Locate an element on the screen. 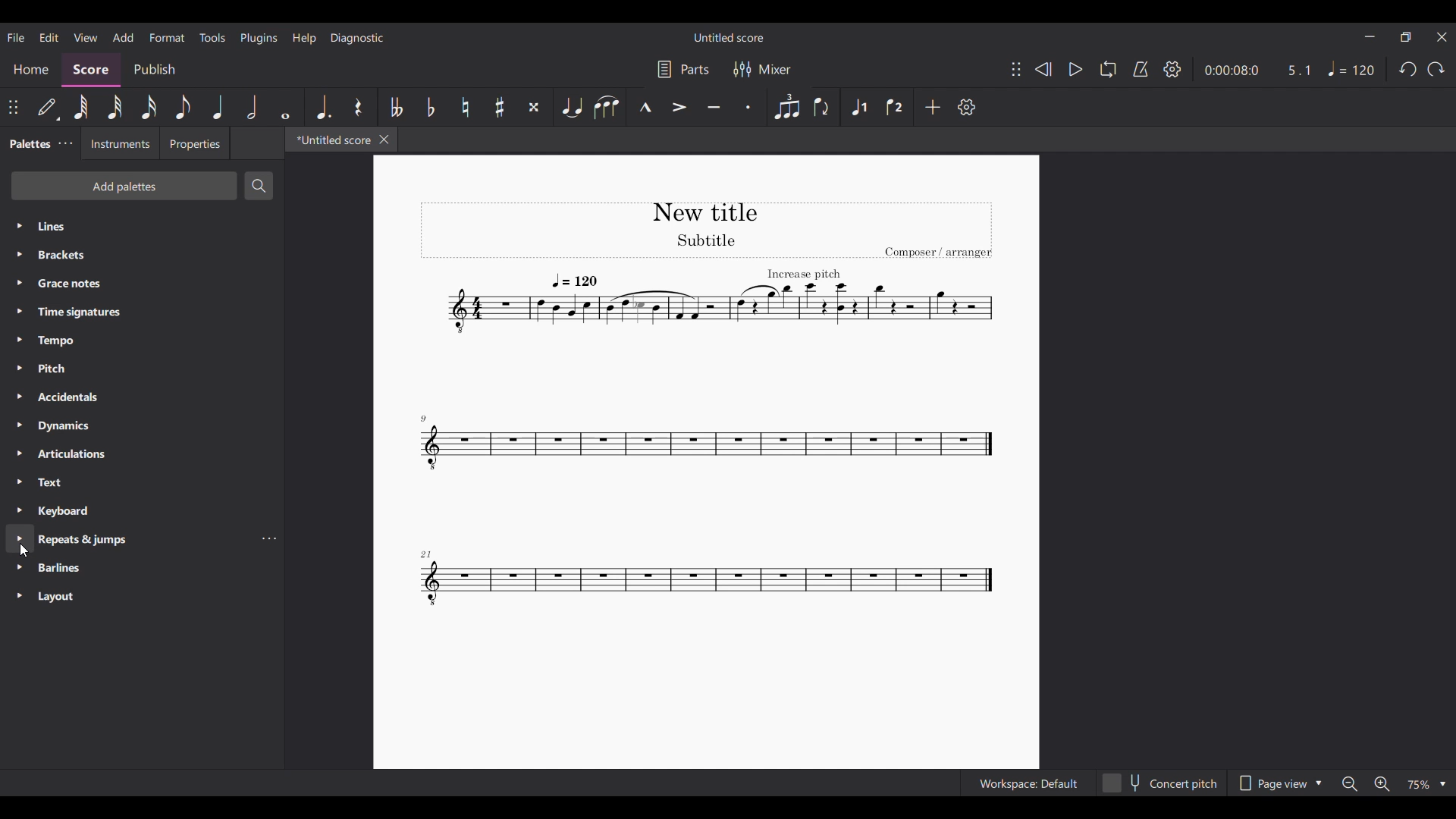 The width and height of the screenshot is (1456, 819). Palette settings is located at coordinates (65, 143).